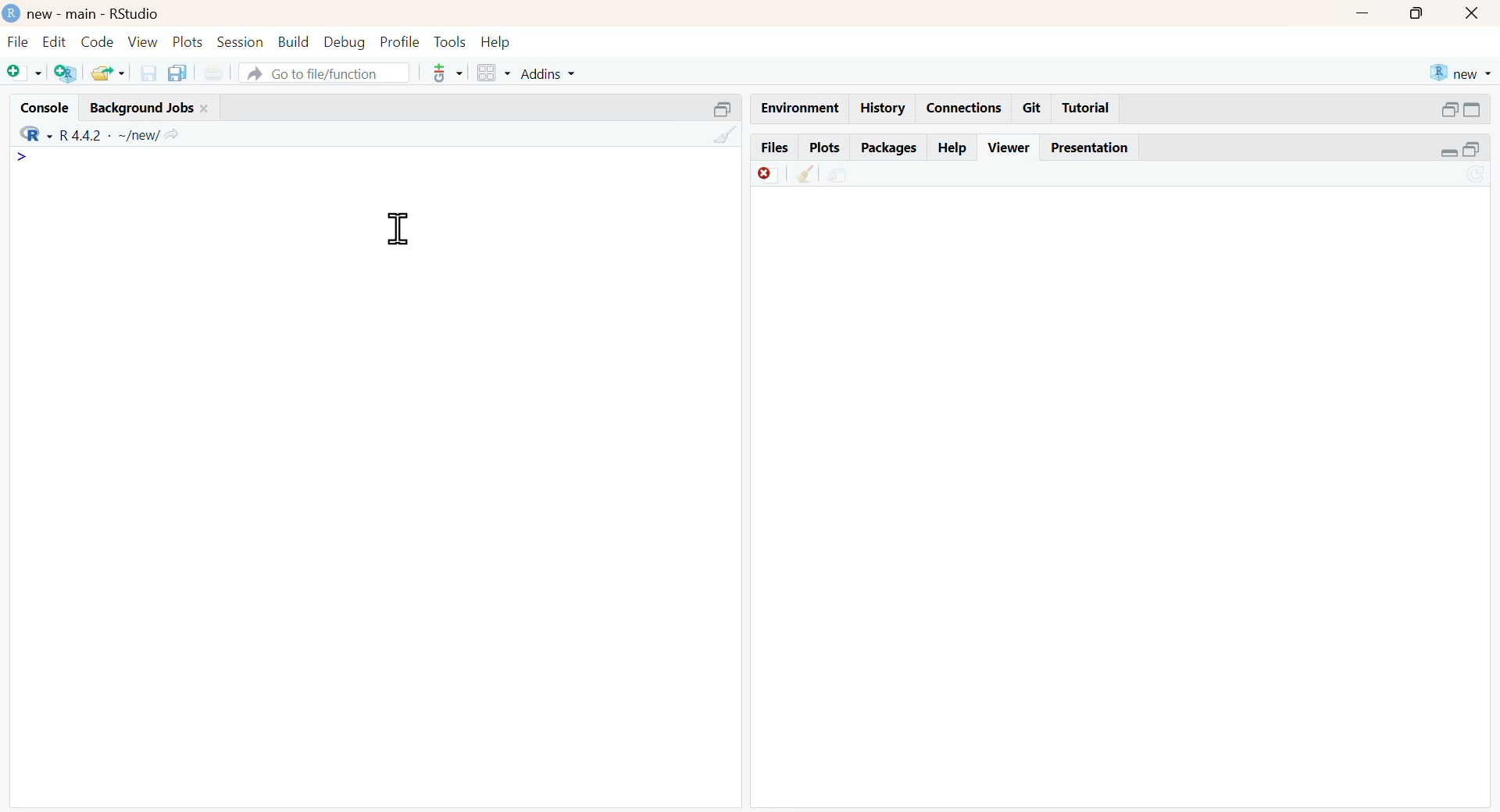 The width and height of the screenshot is (1500, 812). What do you see at coordinates (144, 72) in the screenshot?
I see `Save current doc` at bounding box center [144, 72].